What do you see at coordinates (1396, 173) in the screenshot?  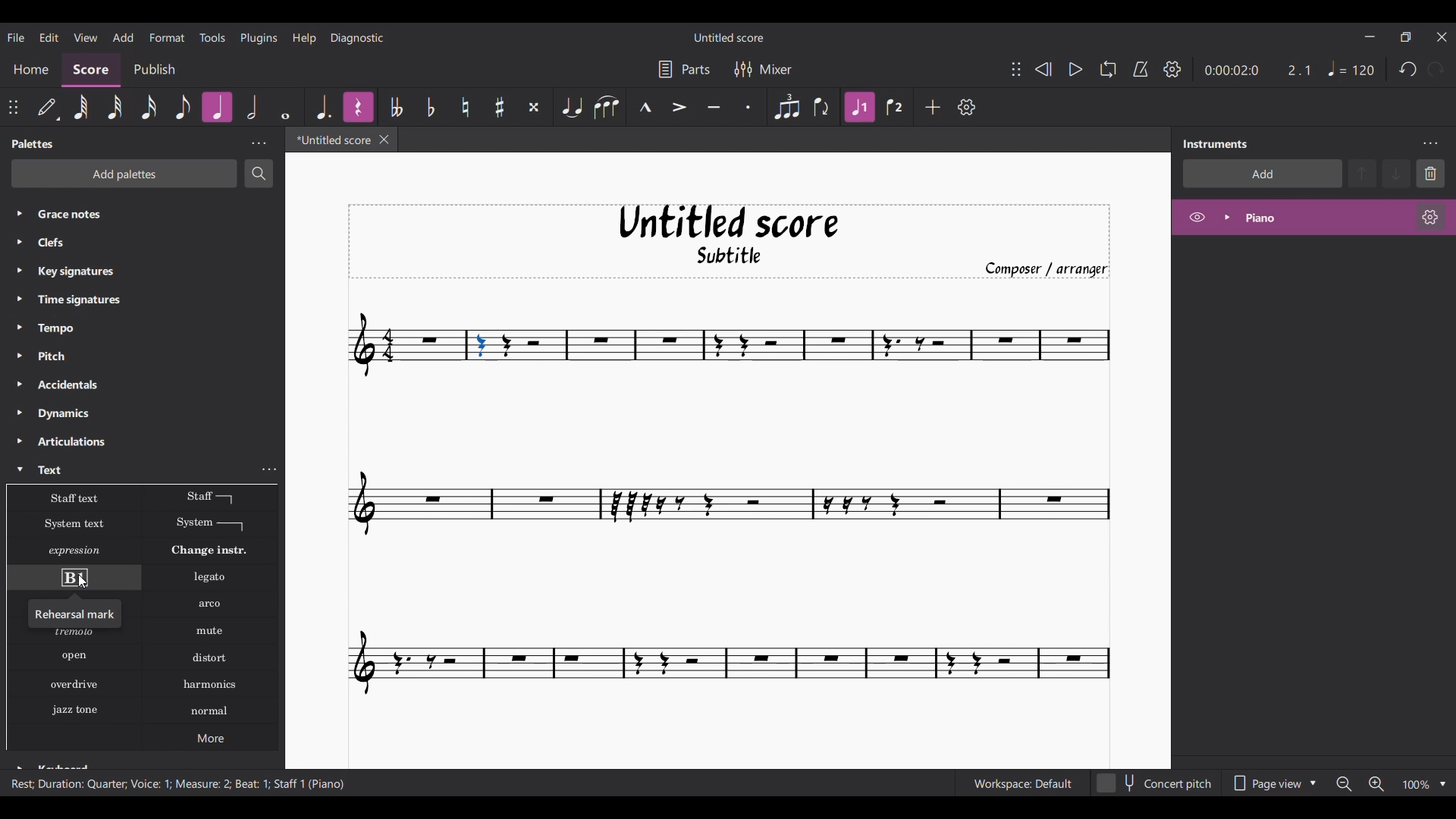 I see `Move down` at bounding box center [1396, 173].